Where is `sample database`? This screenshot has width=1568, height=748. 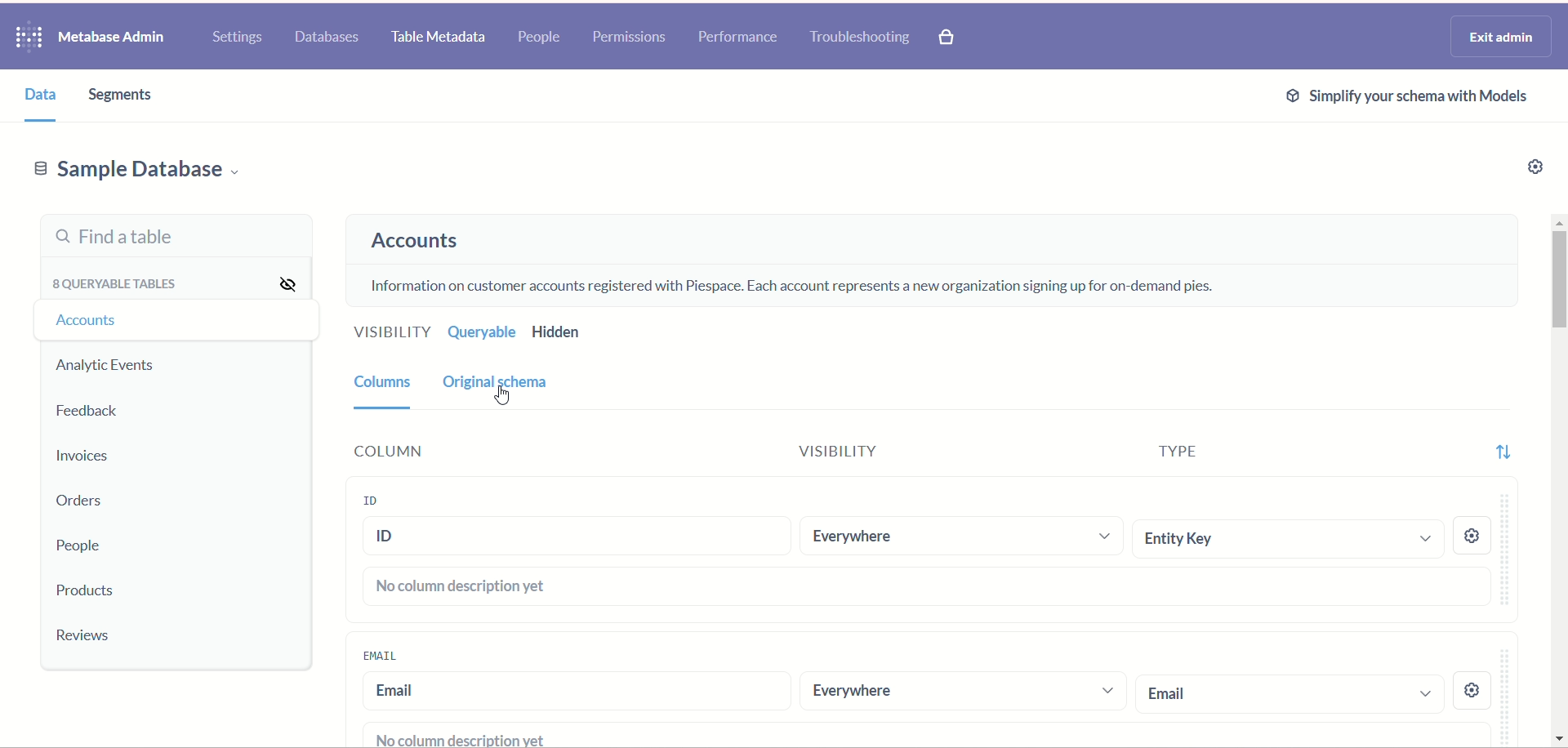
sample database is located at coordinates (131, 171).